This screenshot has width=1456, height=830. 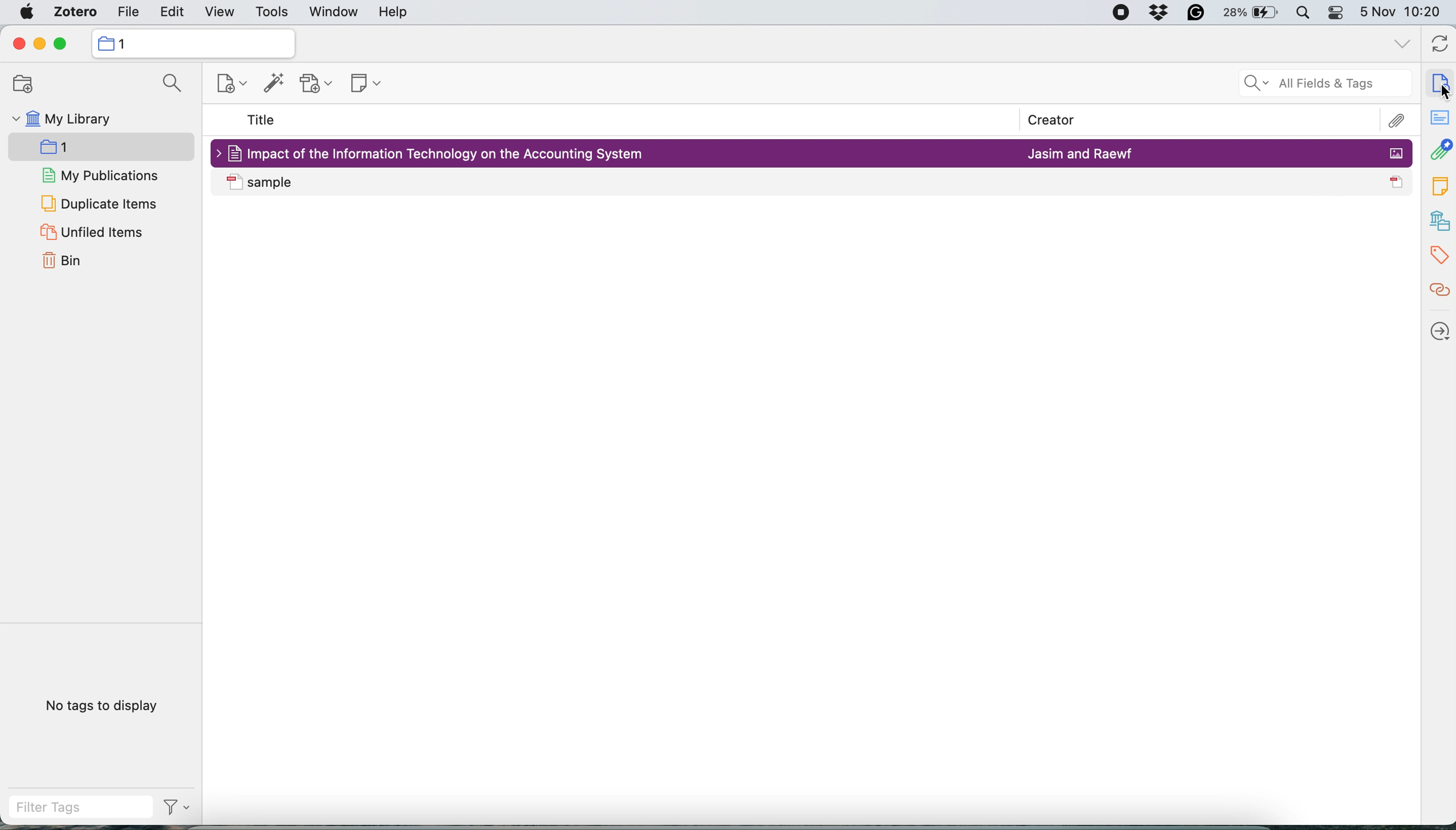 I want to click on add items by identifier, so click(x=273, y=84).